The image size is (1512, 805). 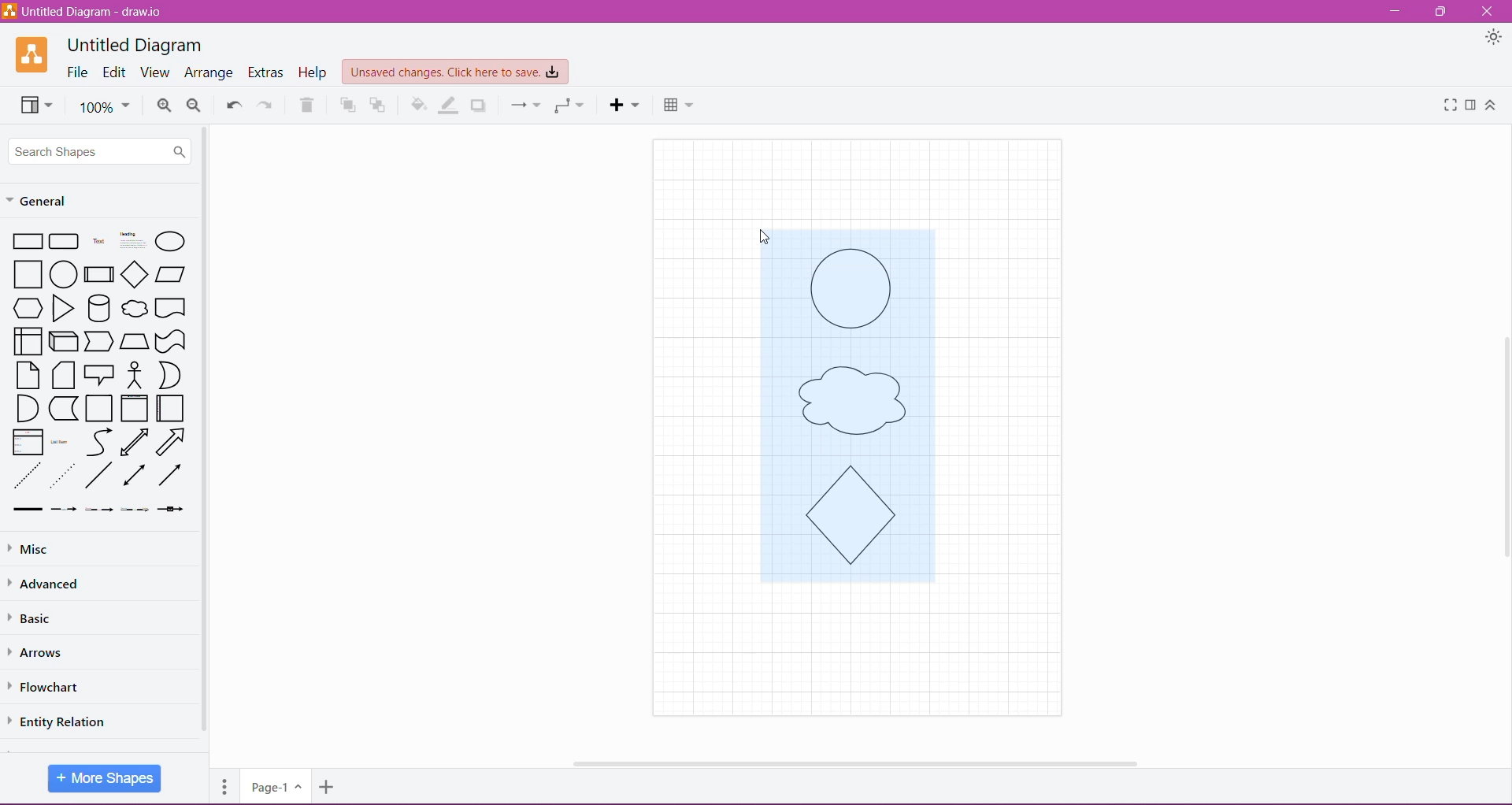 I want to click on Undo, so click(x=232, y=103).